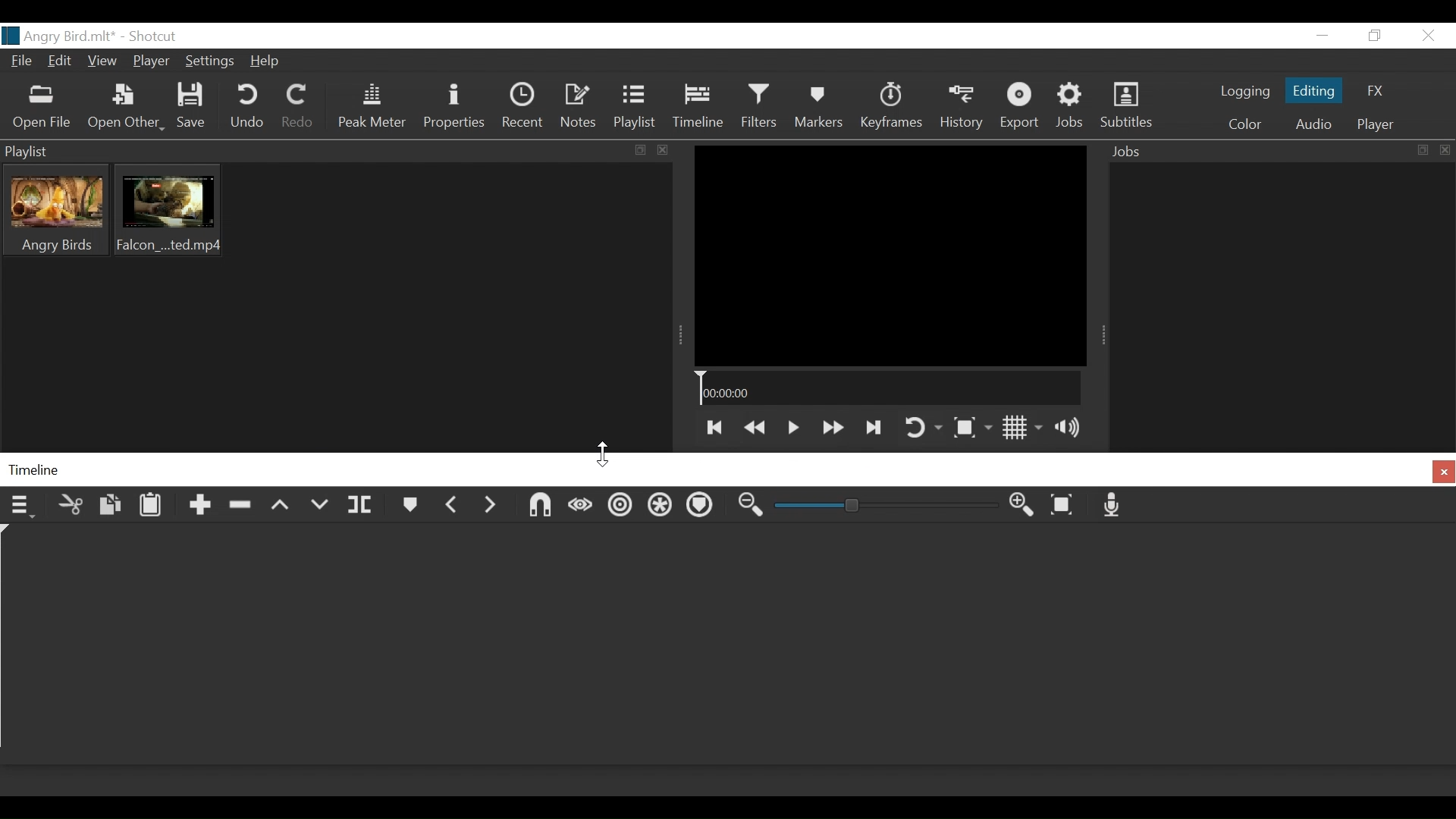 This screenshot has height=819, width=1456. I want to click on Skip to the next point, so click(874, 426).